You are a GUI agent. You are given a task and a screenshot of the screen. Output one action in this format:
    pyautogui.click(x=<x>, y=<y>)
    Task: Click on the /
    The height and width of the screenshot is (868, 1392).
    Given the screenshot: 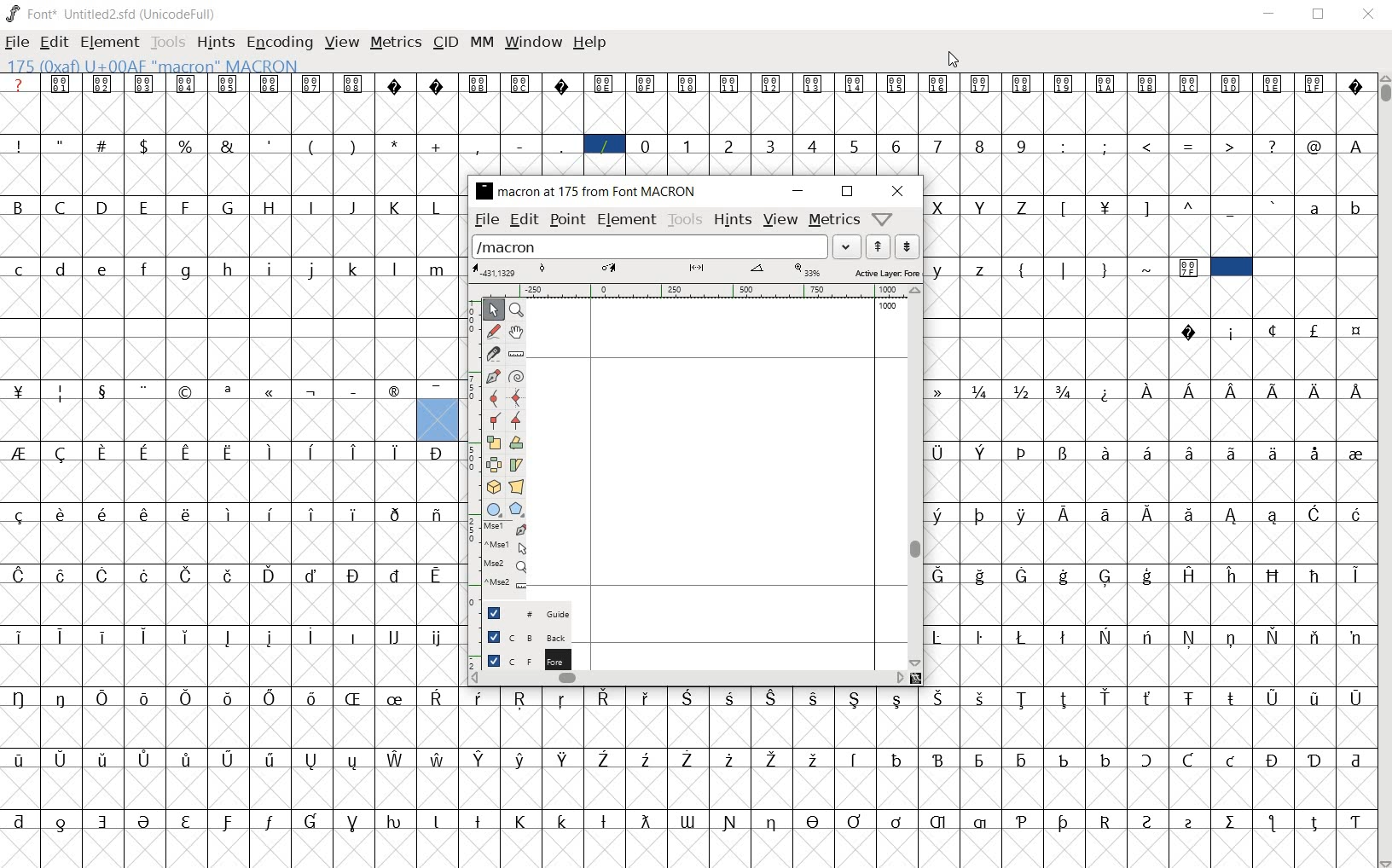 What is the action you would take?
    pyautogui.click(x=604, y=144)
    